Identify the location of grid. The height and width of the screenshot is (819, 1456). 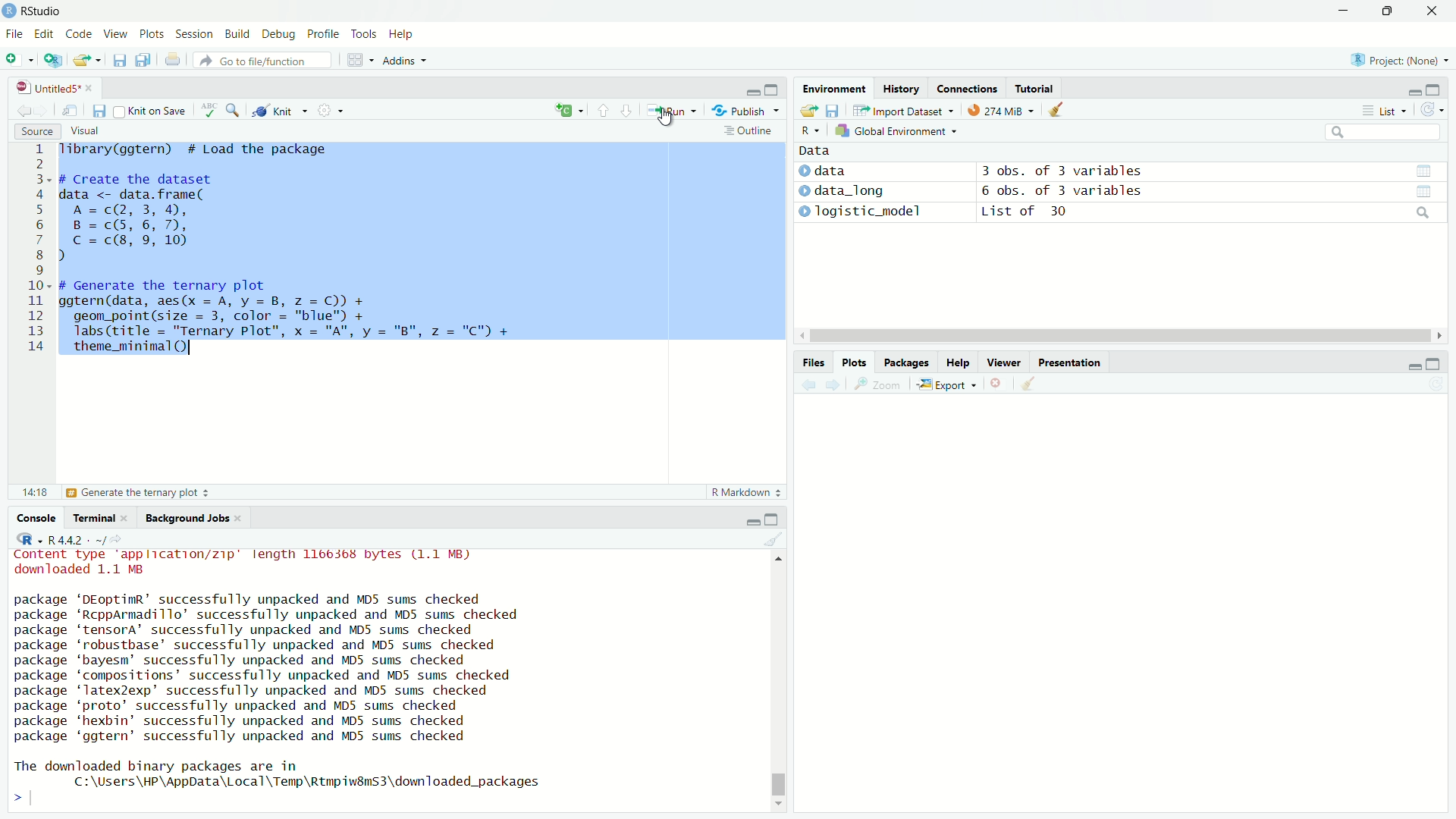
(361, 62).